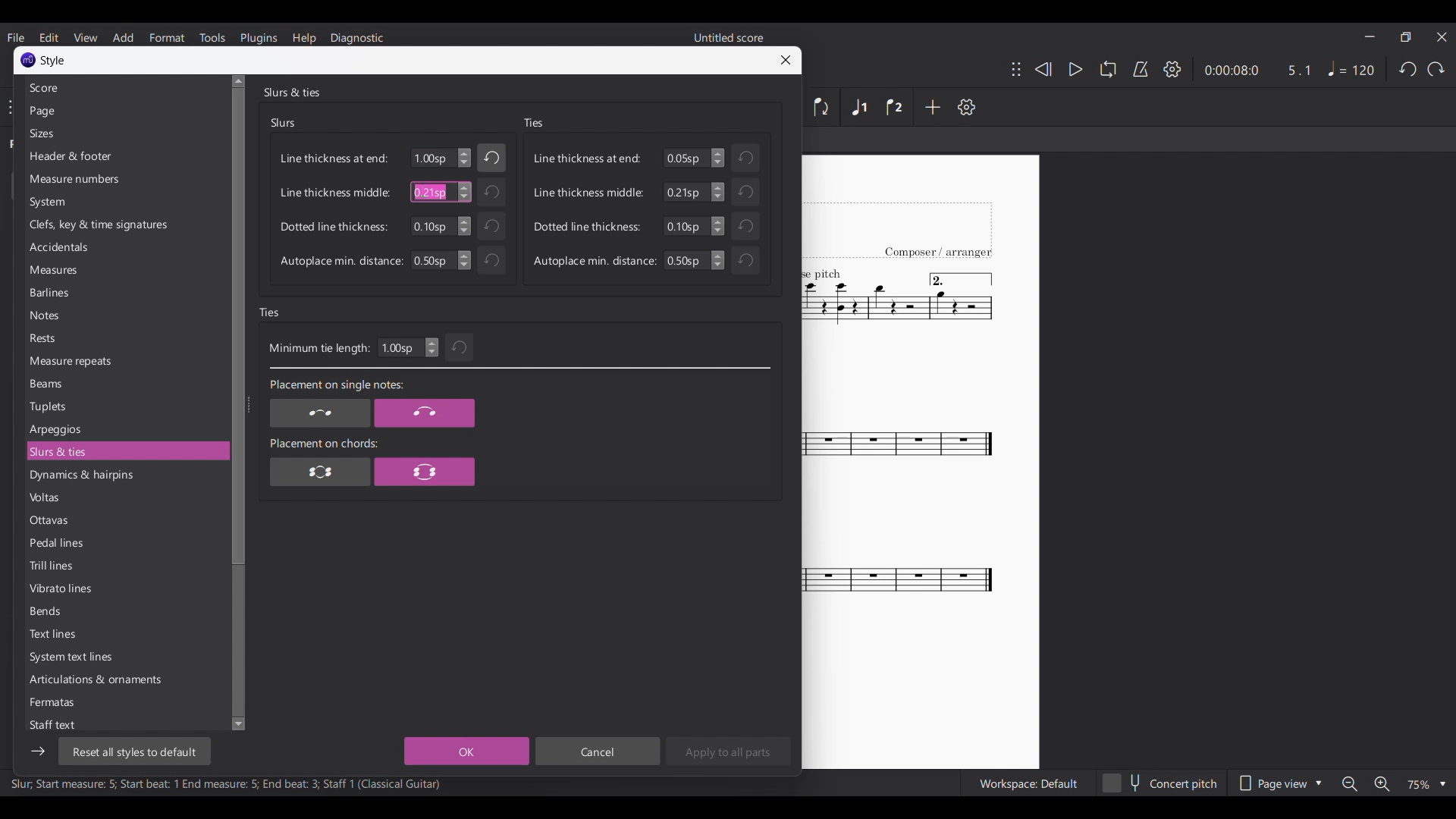  Describe the element at coordinates (212, 37) in the screenshot. I see `Tools menu` at that location.